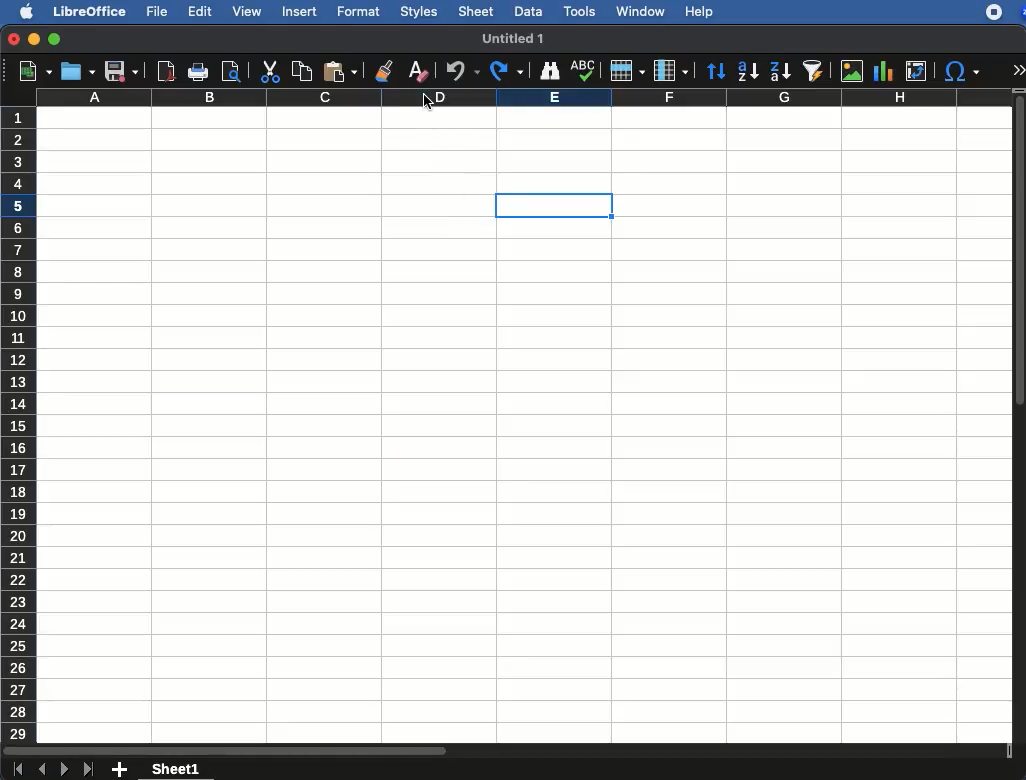  Describe the element at coordinates (528, 10) in the screenshot. I see `data` at that location.